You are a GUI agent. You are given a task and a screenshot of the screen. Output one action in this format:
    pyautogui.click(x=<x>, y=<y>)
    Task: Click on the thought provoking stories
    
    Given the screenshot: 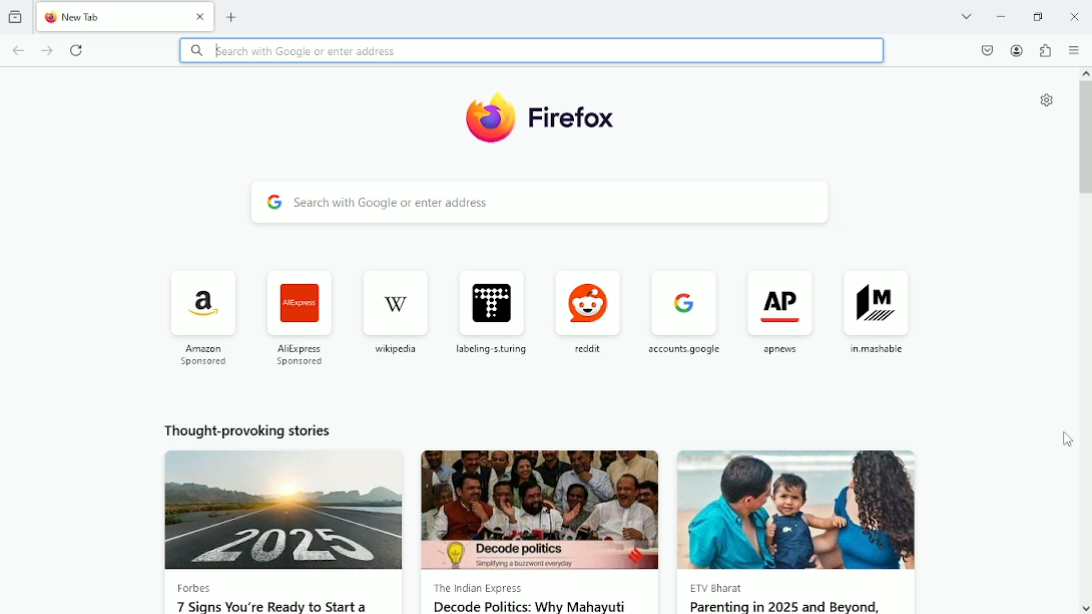 What is the action you would take?
    pyautogui.click(x=264, y=432)
    